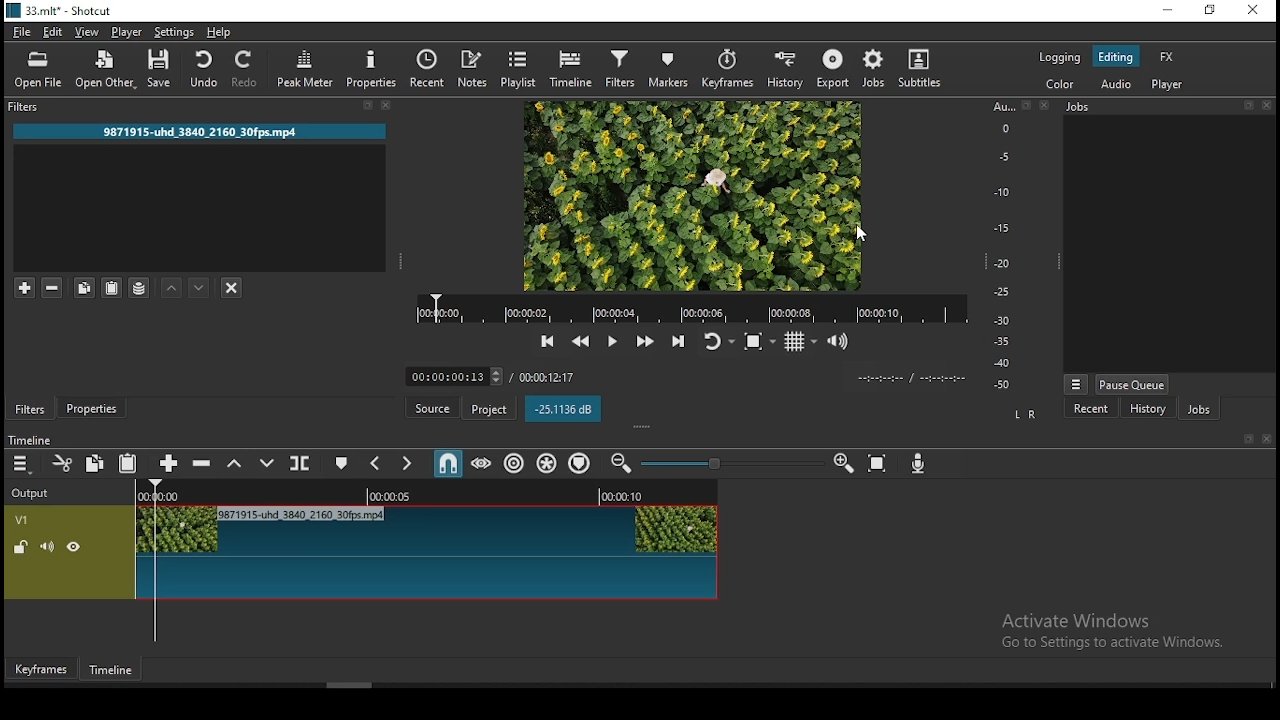 The height and width of the screenshot is (720, 1280). I want to click on ripple delete, so click(205, 465).